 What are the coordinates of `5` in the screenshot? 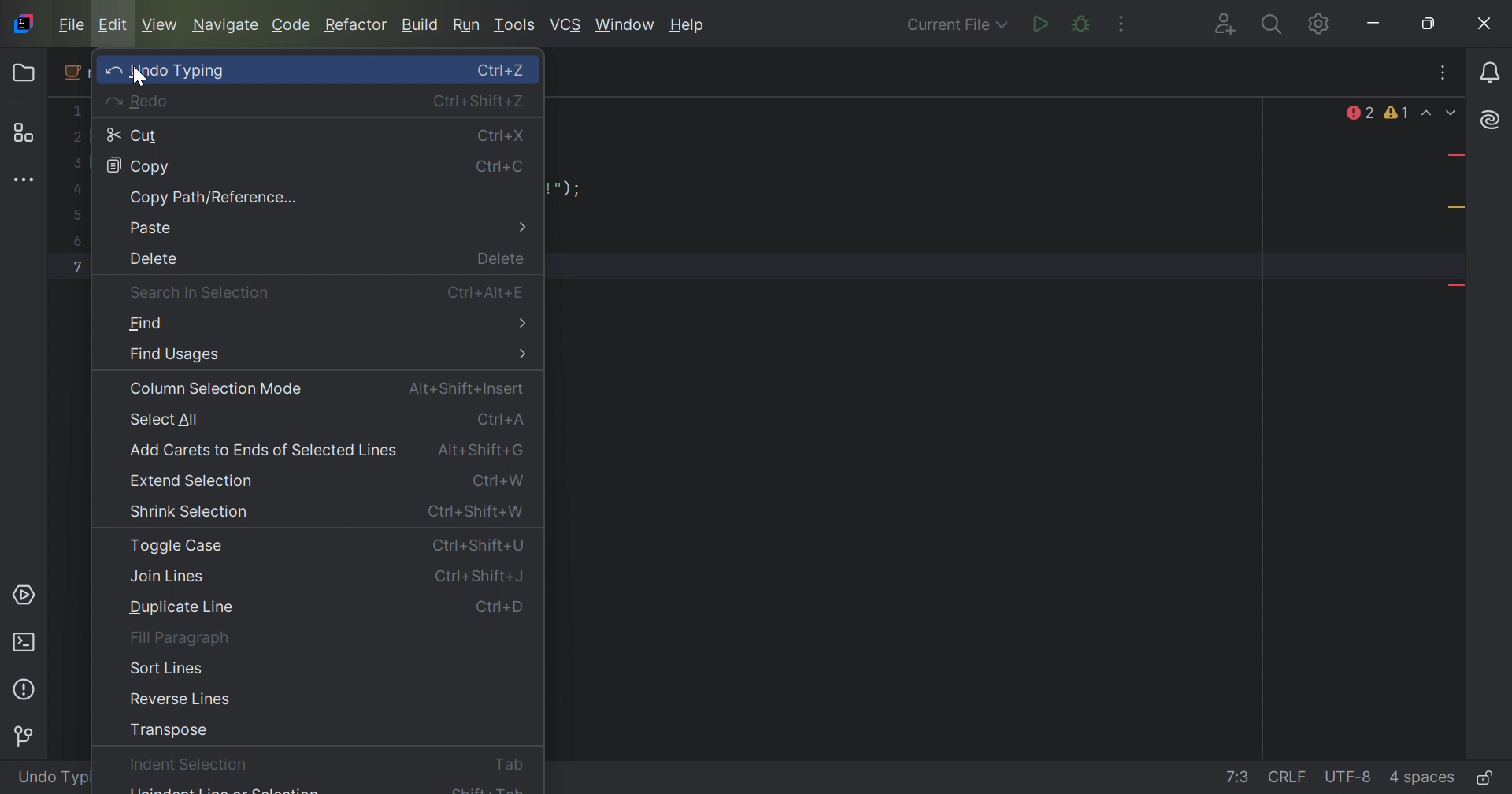 It's located at (79, 216).